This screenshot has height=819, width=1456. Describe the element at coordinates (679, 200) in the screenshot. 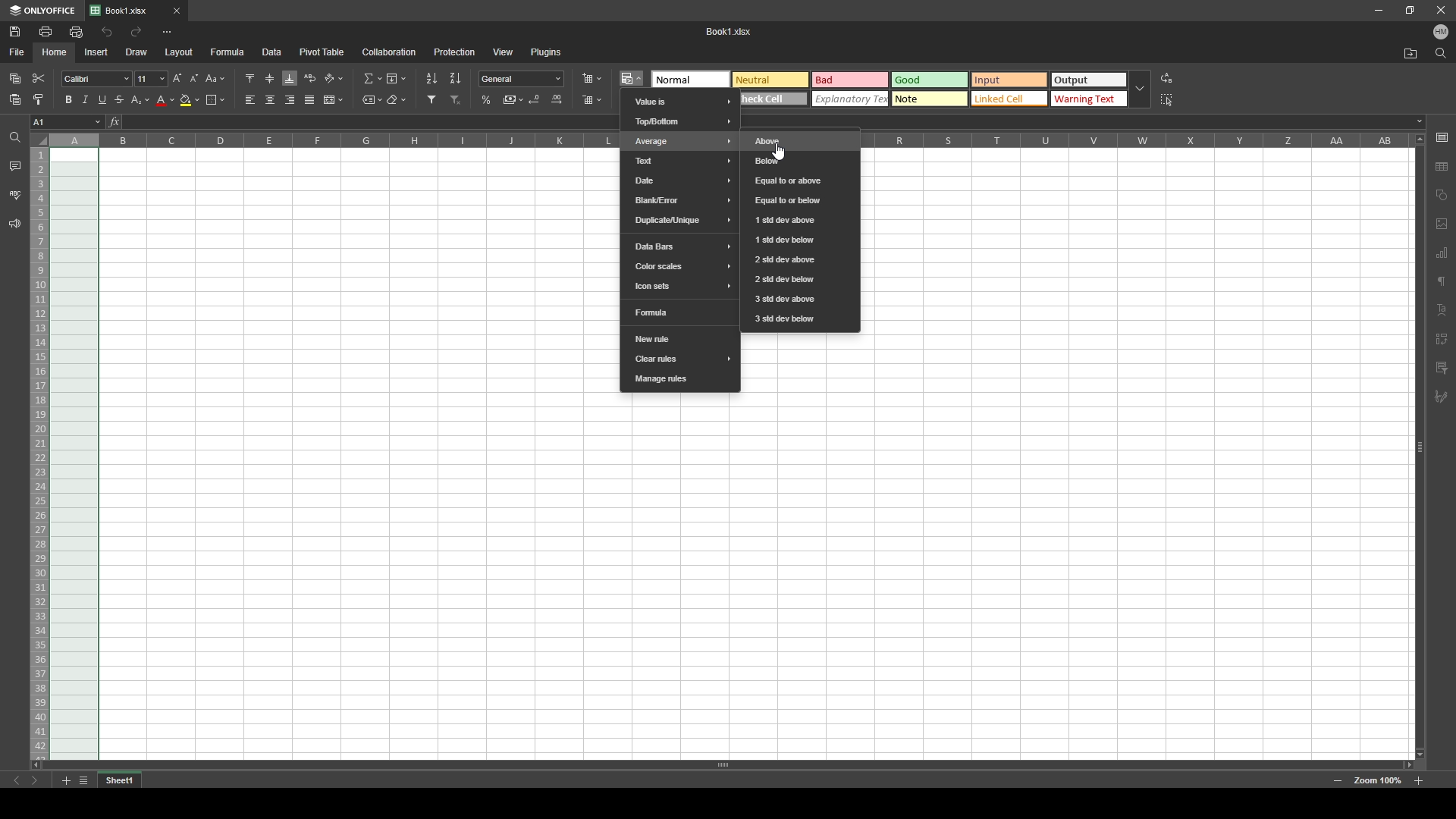

I see `blank error` at that location.